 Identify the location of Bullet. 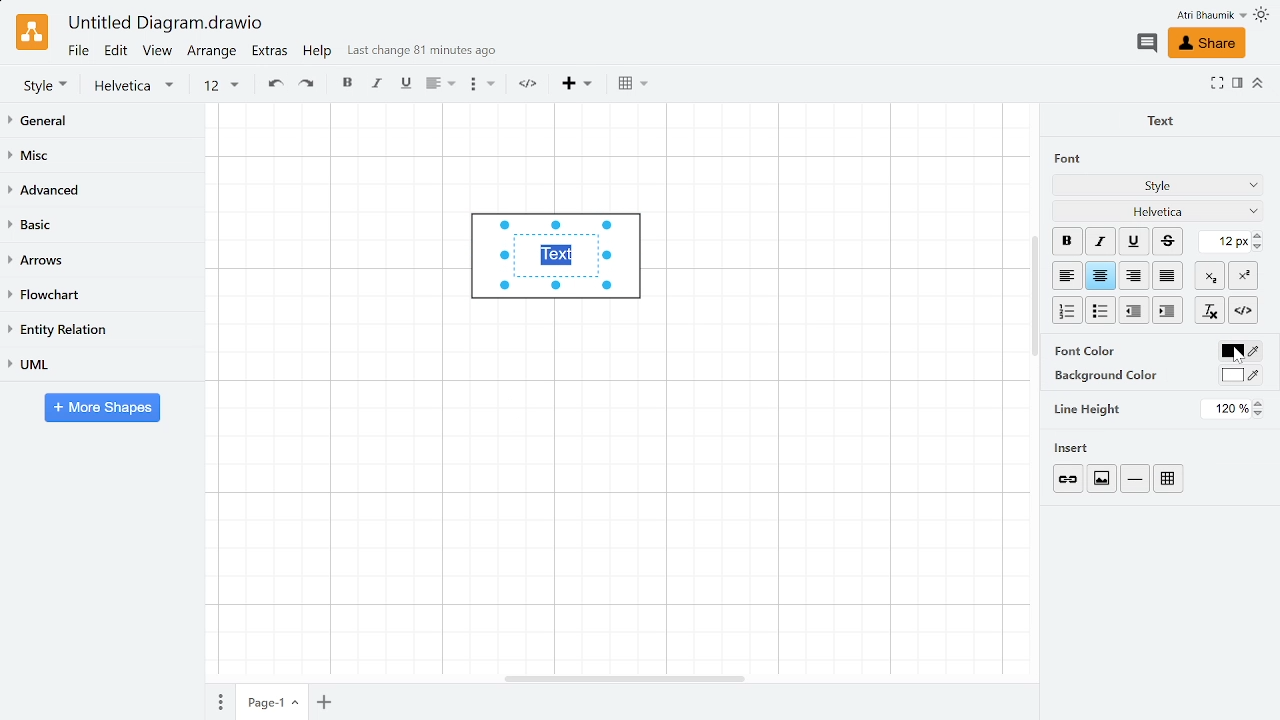
(1102, 310).